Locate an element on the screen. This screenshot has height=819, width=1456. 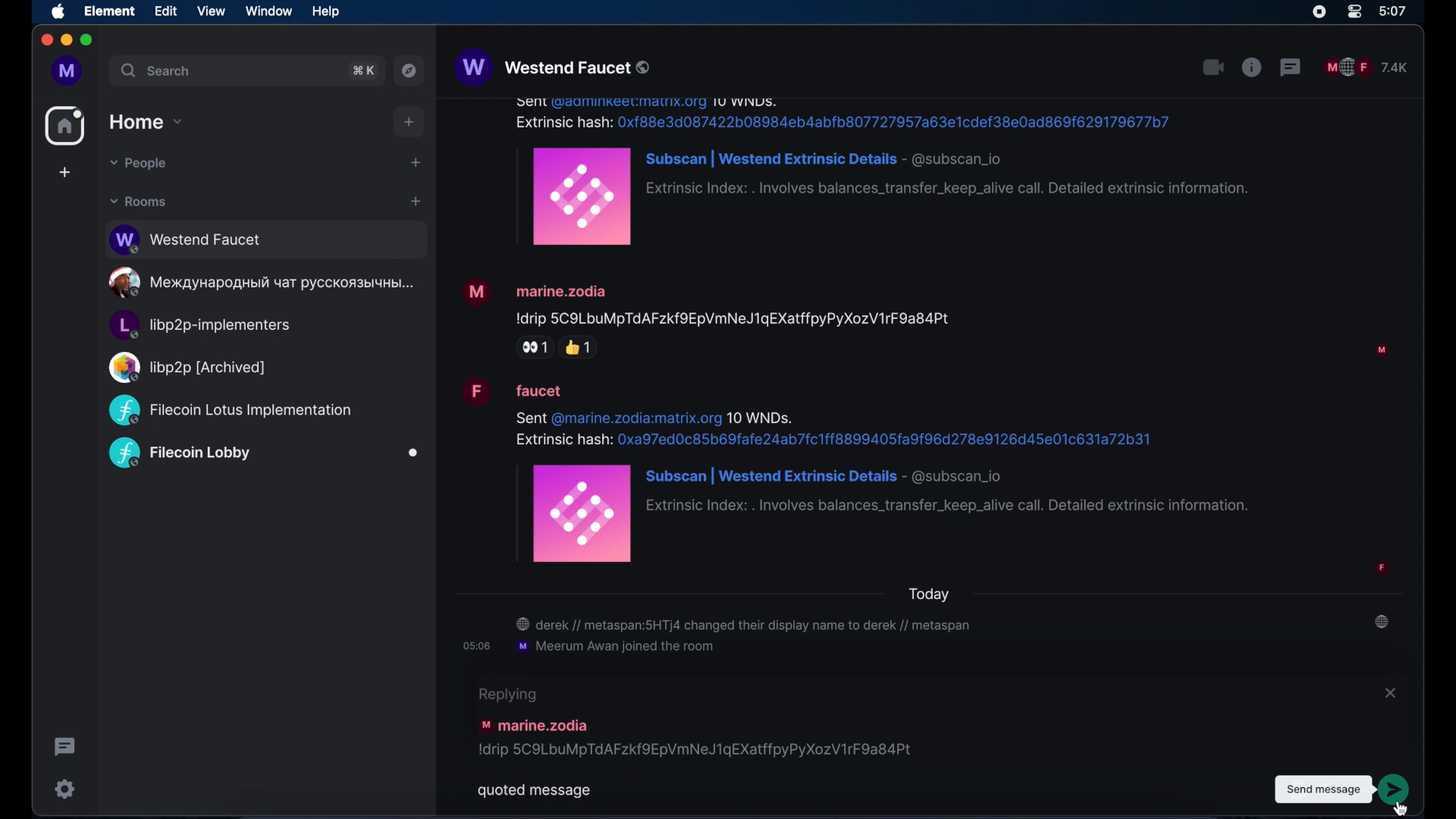
public room is located at coordinates (186, 367).